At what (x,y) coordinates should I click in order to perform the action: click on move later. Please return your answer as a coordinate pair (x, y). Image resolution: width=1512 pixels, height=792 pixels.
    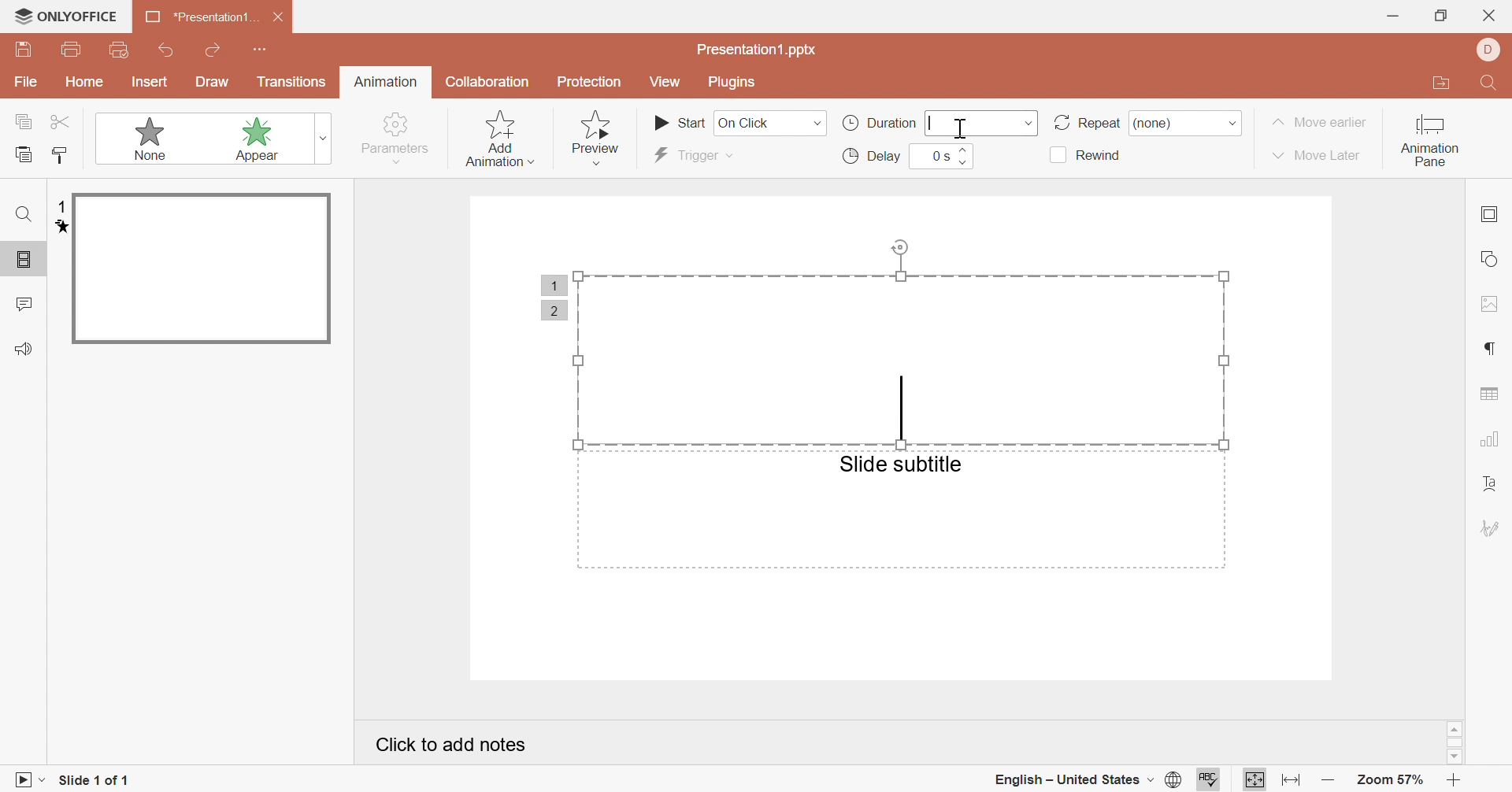
    Looking at the image, I should click on (1317, 155).